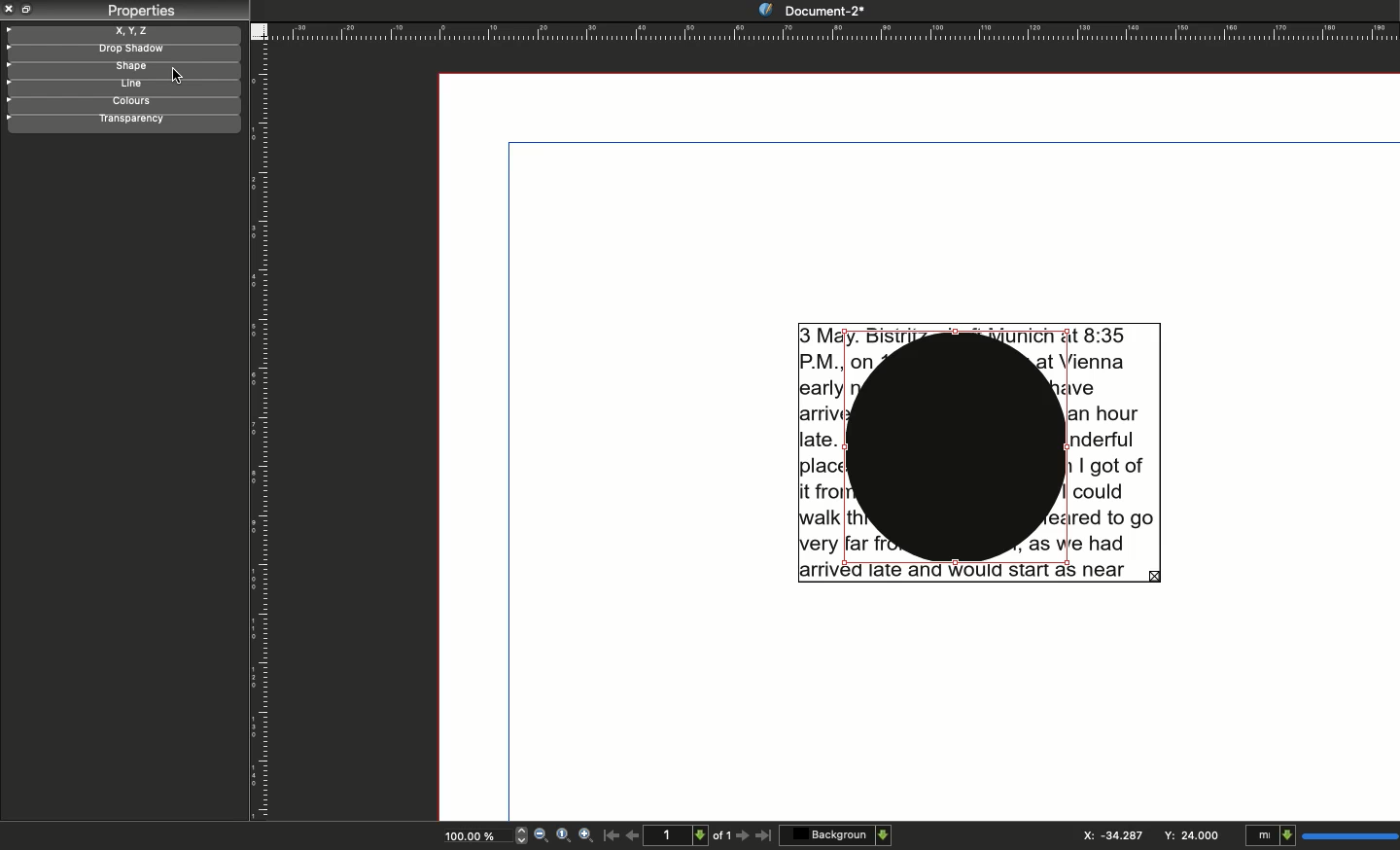 The height and width of the screenshot is (850, 1400). What do you see at coordinates (583, 836) in the screenshot?
I see `Zoom in` at bounding box center [583, 836].